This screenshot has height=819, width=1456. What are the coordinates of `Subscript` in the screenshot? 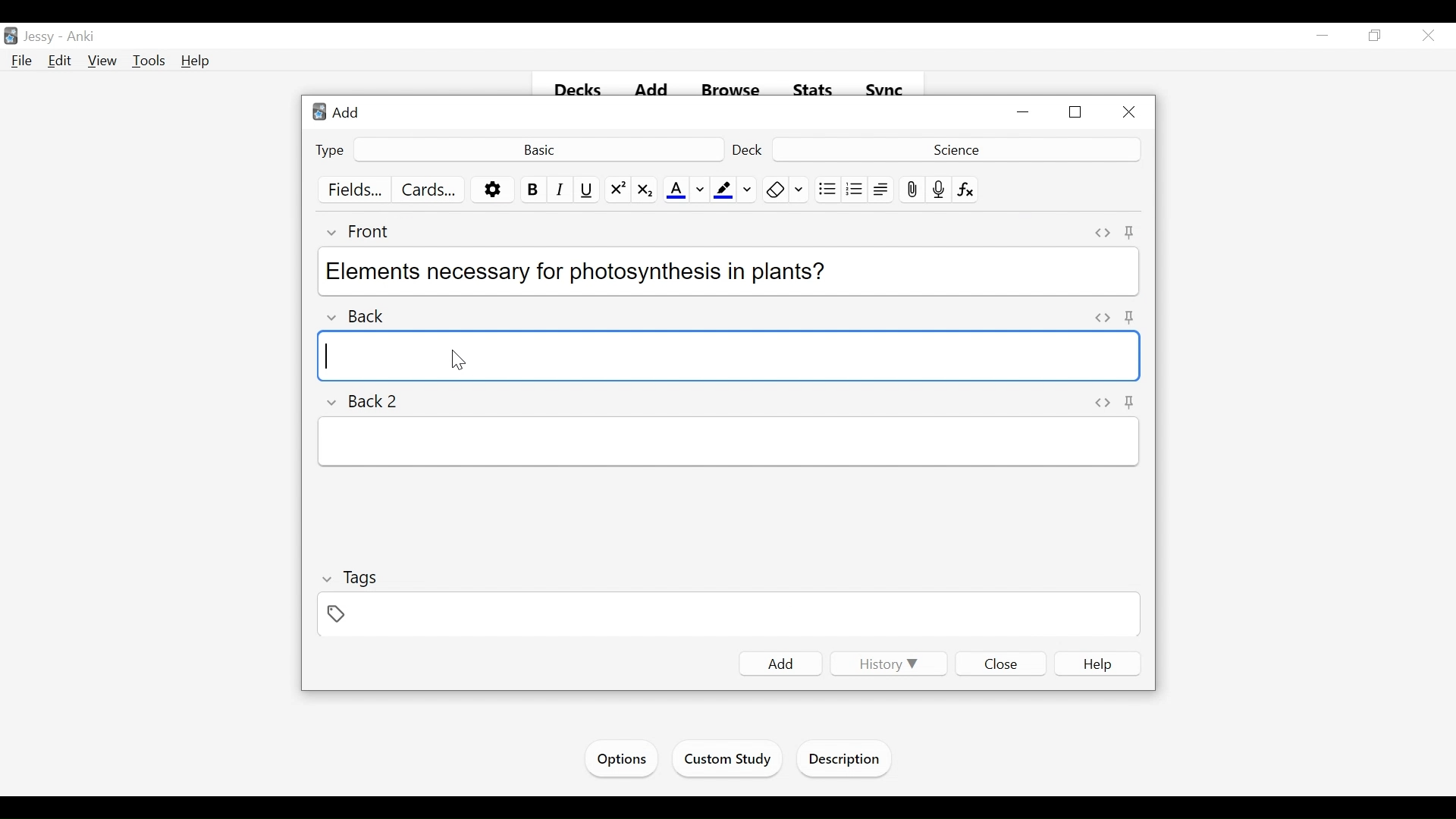 It's located at (644, 190).